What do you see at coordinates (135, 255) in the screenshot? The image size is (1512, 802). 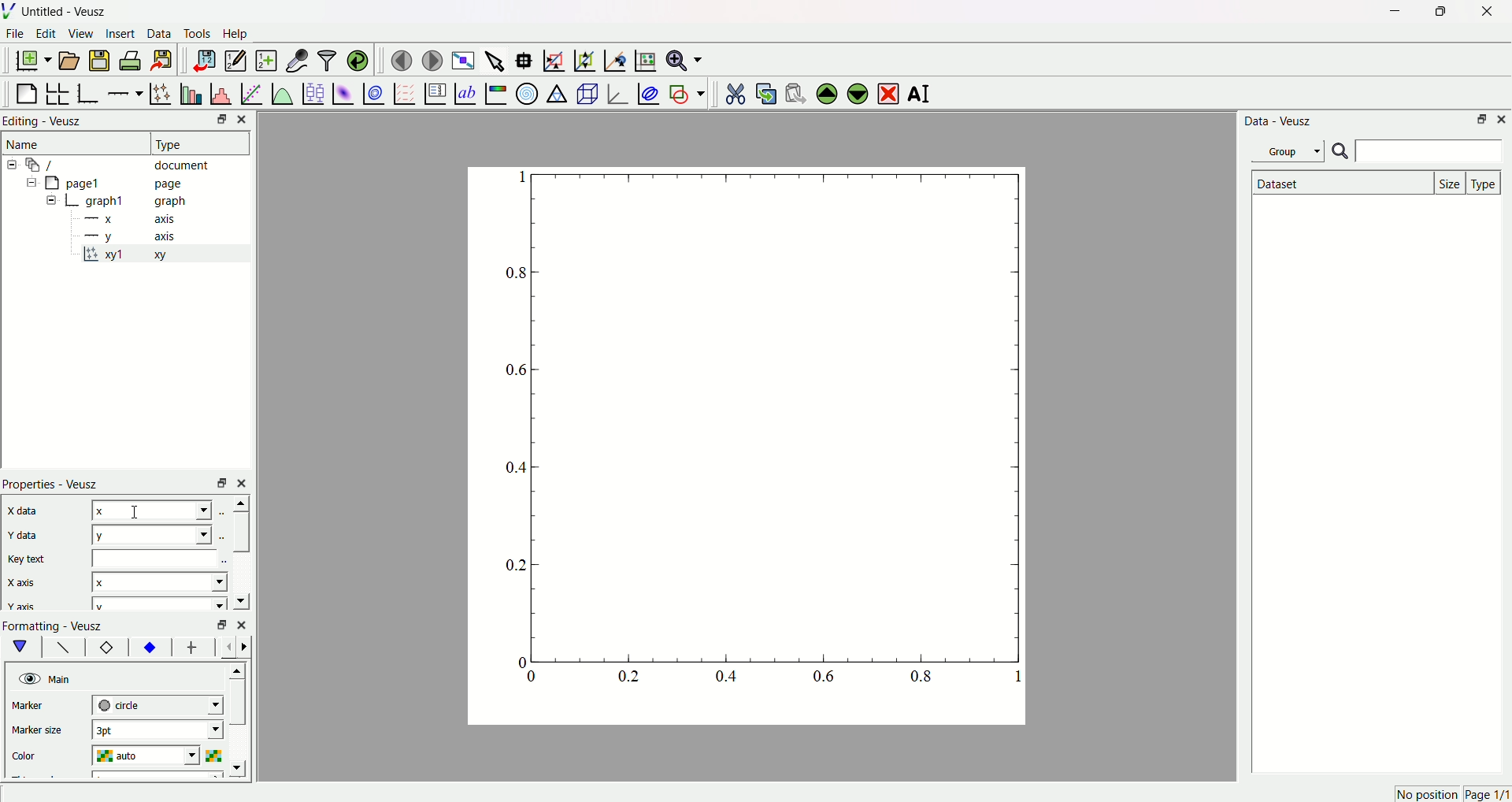 I see `xy1 xy` at bounding box center [135, 255].